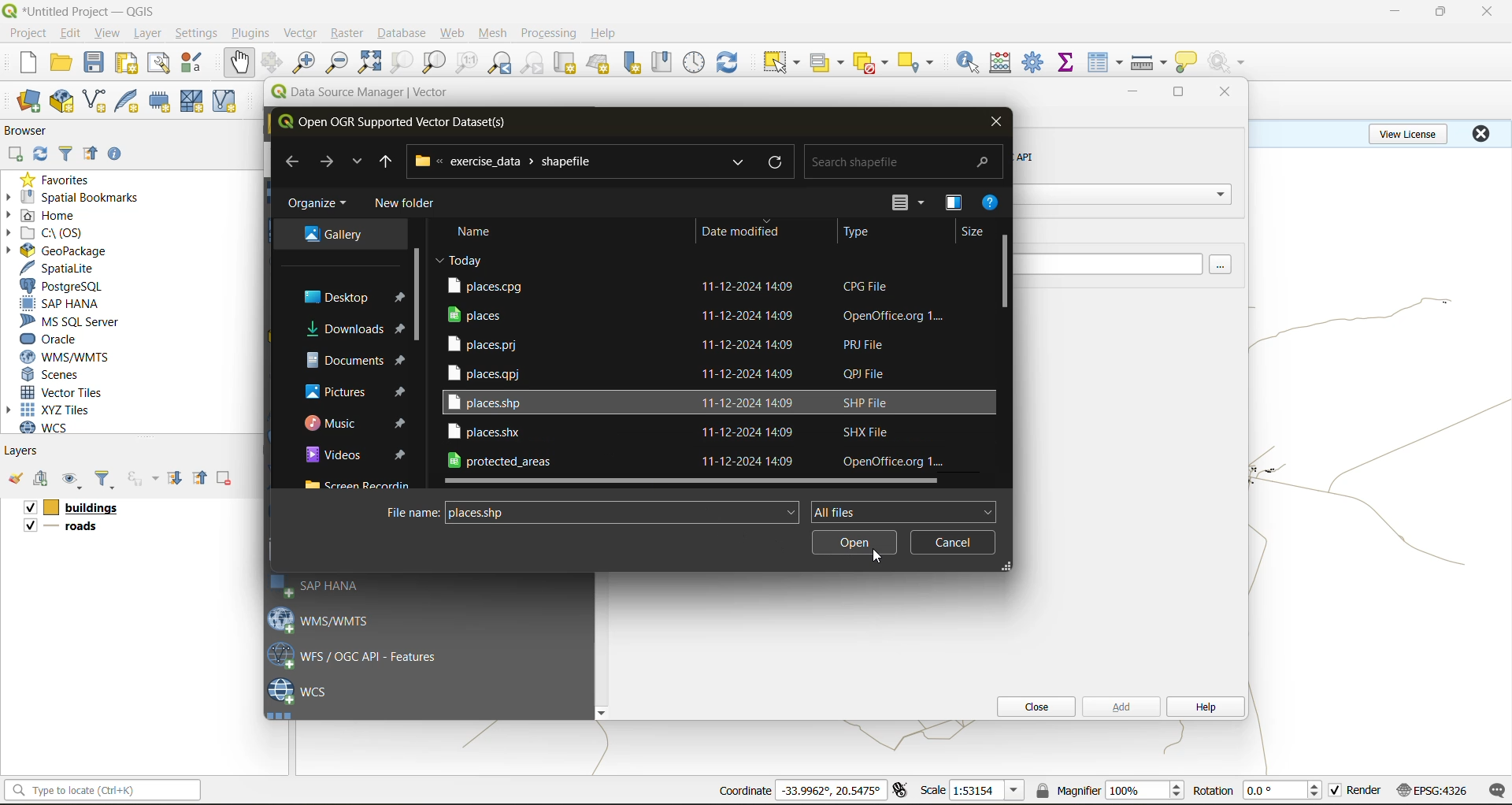  Describe the element at coordinates (61, 179) in the screenshot. I see `favorites` at that location.